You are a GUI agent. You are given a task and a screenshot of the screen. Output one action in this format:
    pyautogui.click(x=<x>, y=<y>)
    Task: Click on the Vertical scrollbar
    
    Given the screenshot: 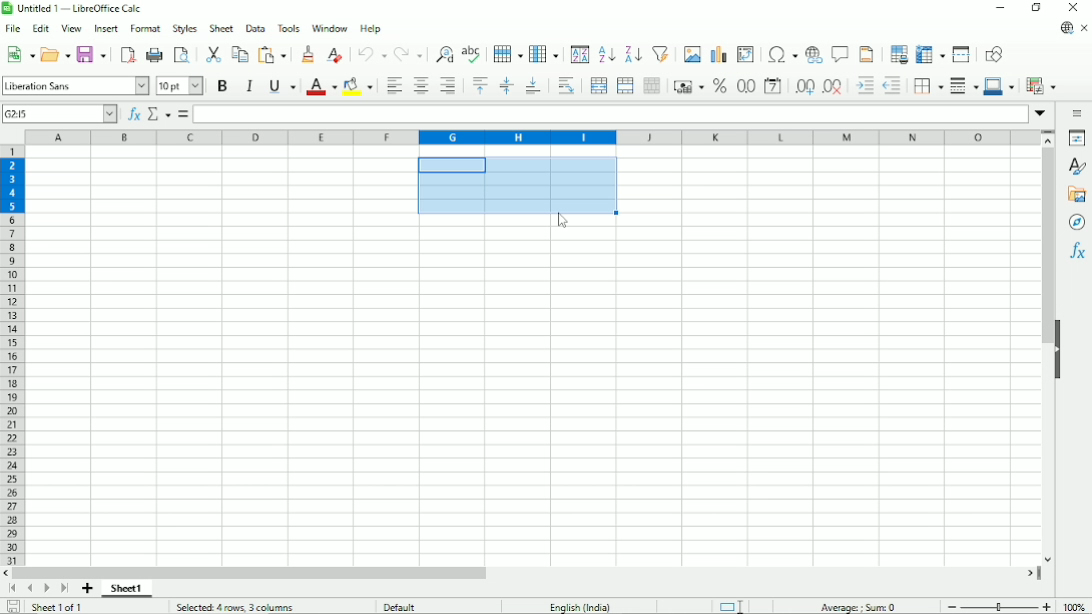 What is the action you would take?
    pyautogui.click(x=1043, y=248)
    